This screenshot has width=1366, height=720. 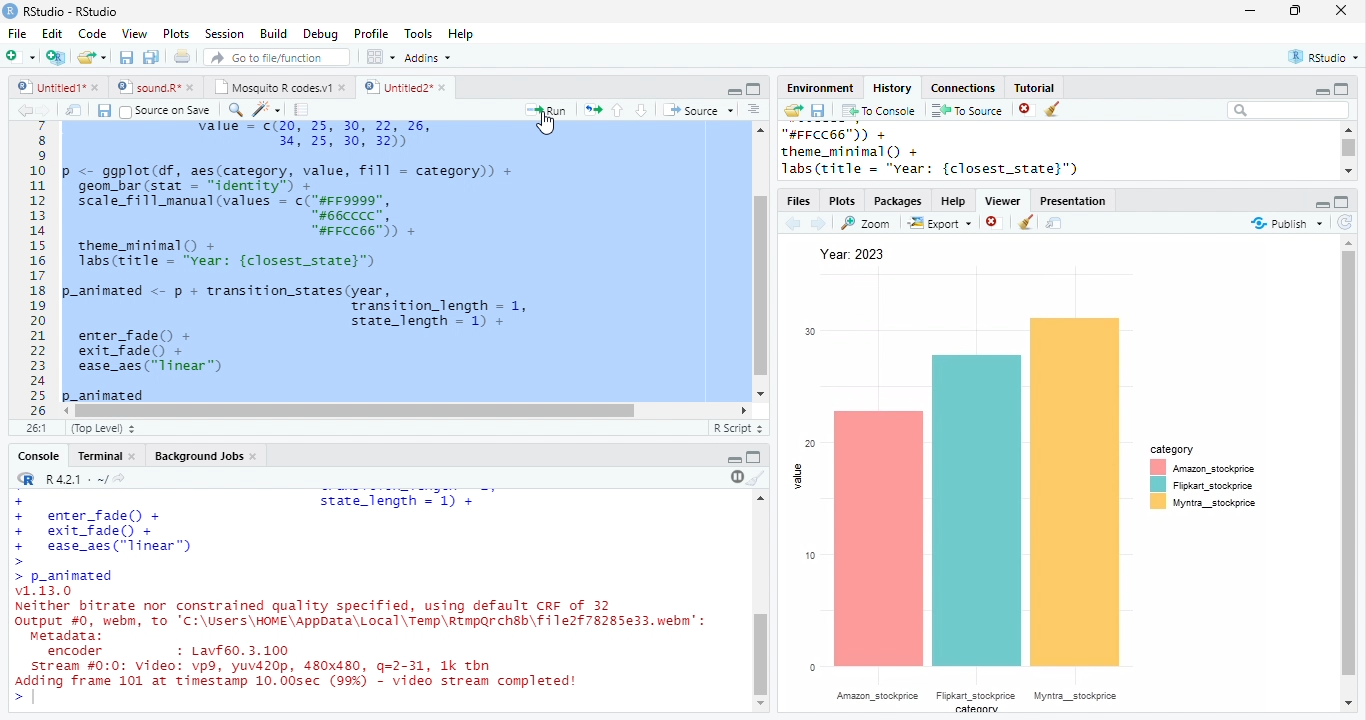 I want to click on scroll down, so click(x=1350, y=703).